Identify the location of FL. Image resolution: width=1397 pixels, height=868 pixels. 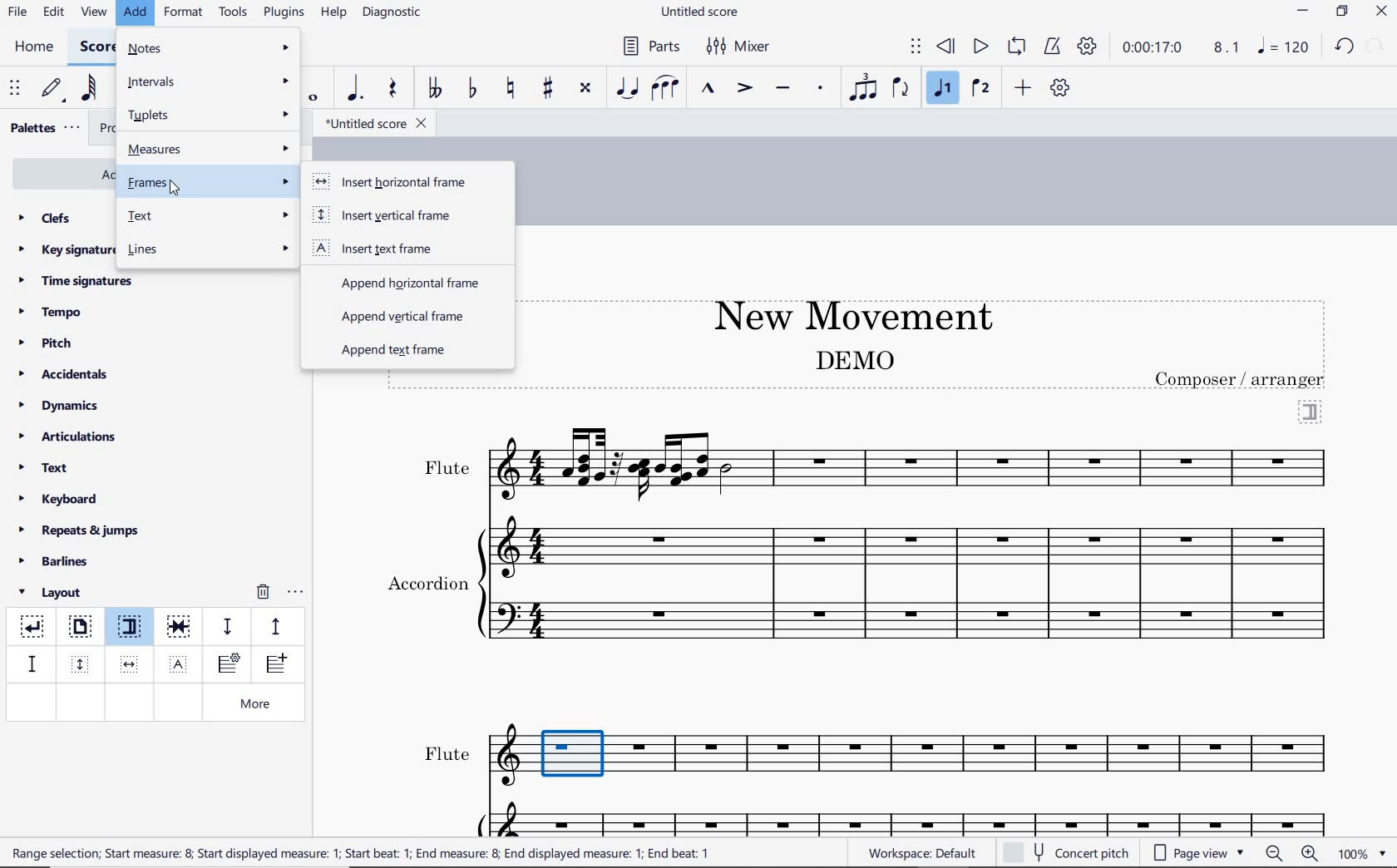
(918, 757).